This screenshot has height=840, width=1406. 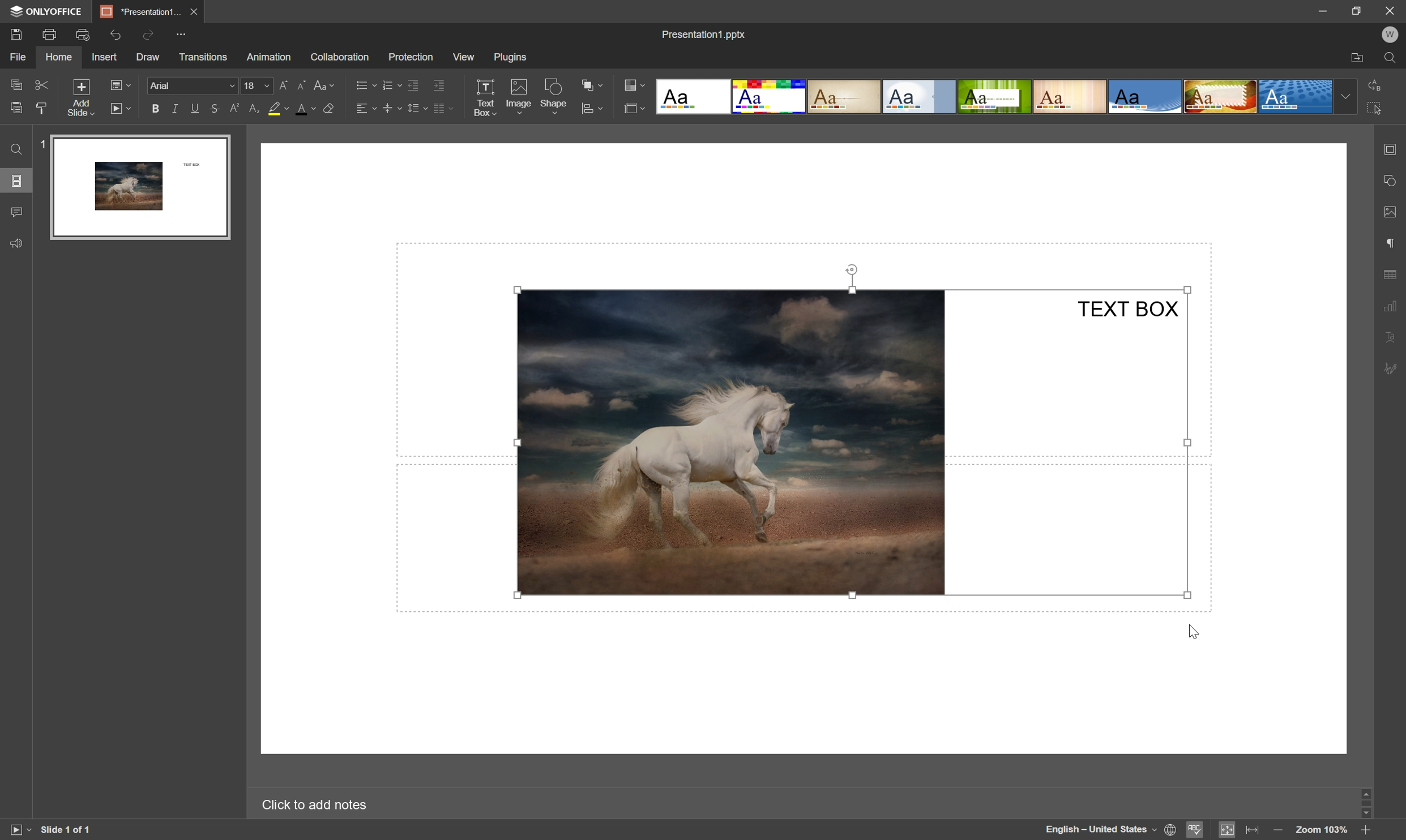 What do you see at coordinates (50, 33) in the screenshot?
I see `print` at bounding box center [50, 33].